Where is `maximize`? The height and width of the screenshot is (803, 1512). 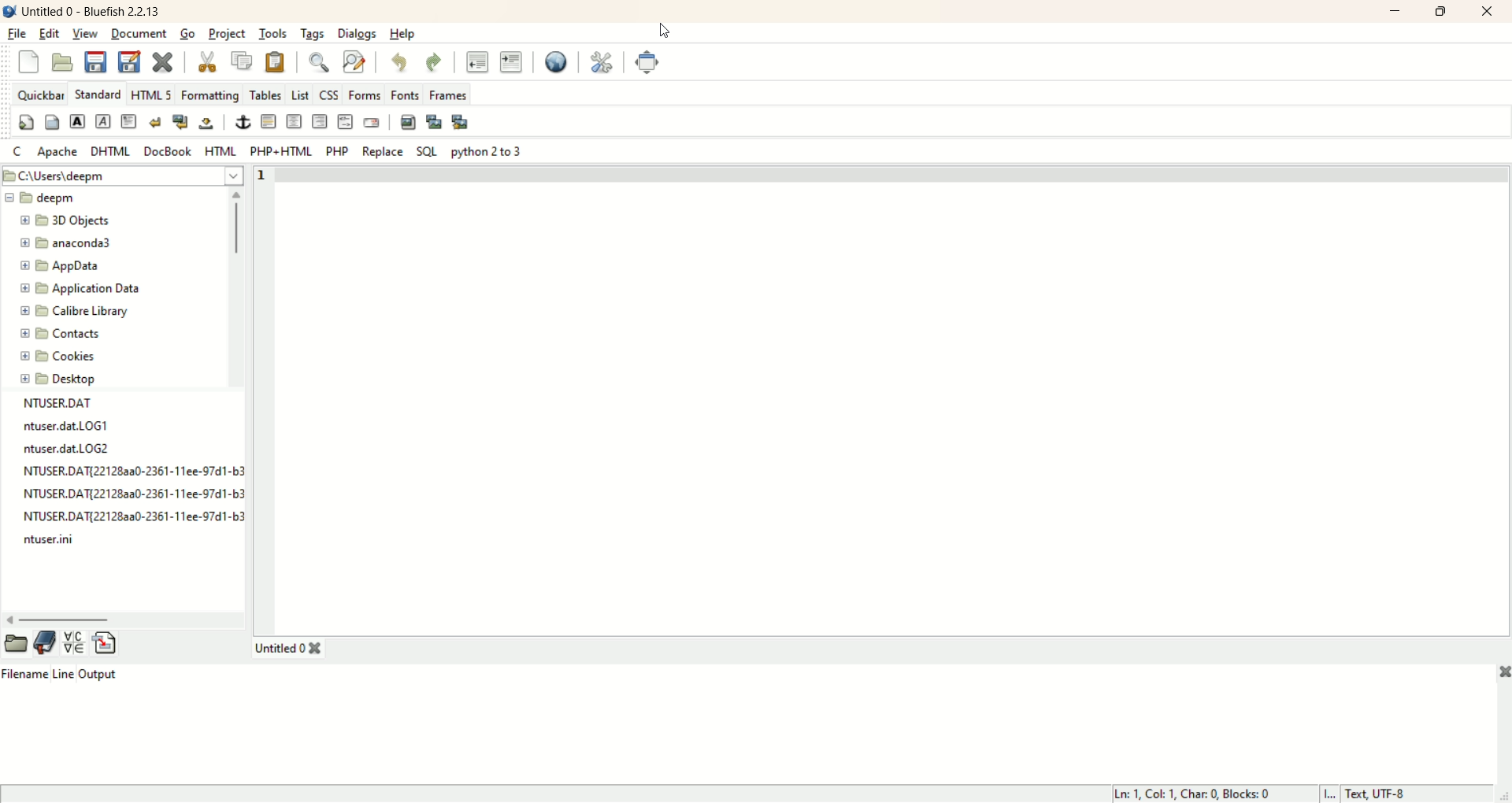
maximize is located at coordinates (1443, 12).